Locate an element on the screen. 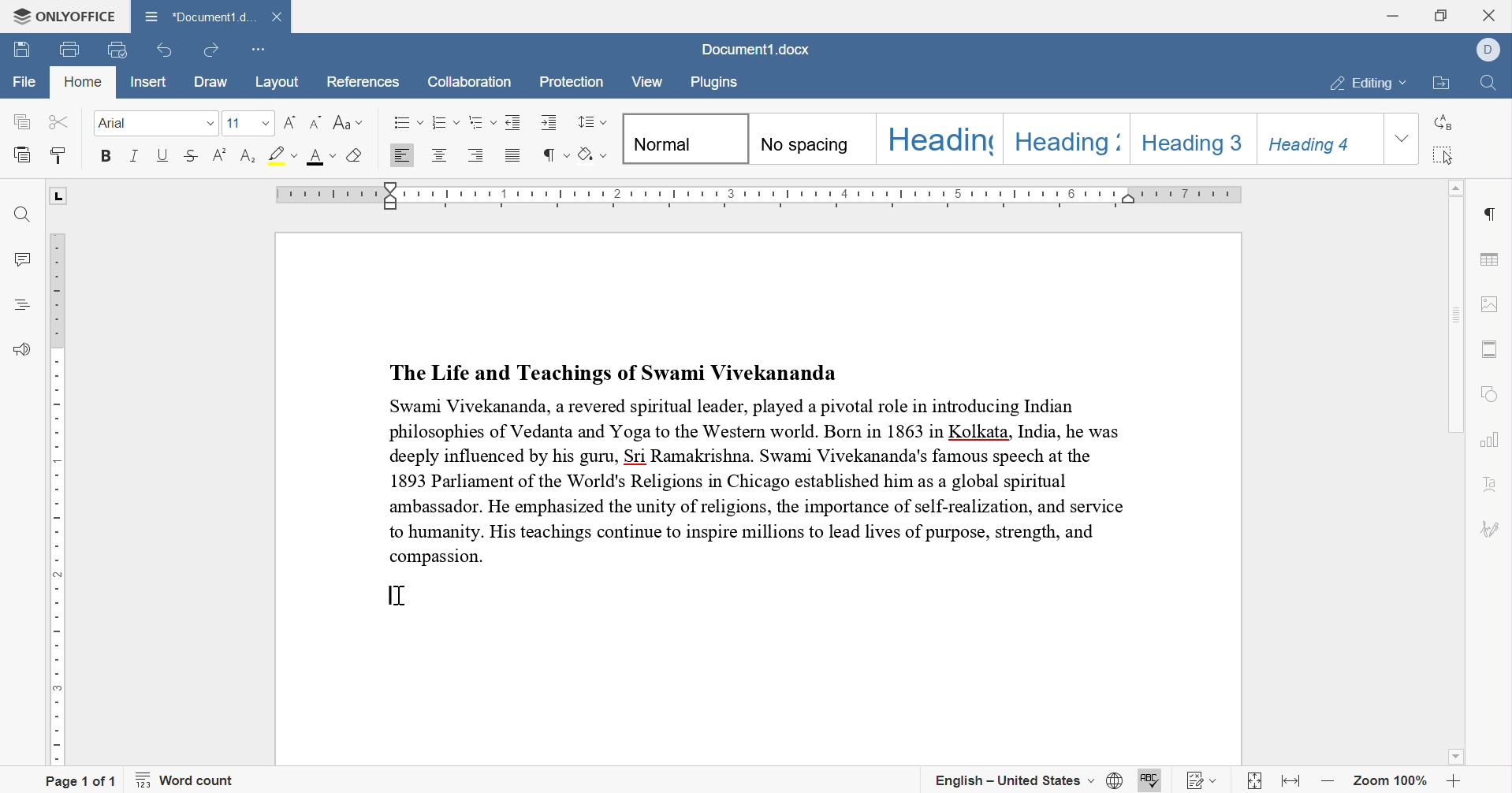 The image size is (1512, 793). protection is located at coordinates (572, 83).